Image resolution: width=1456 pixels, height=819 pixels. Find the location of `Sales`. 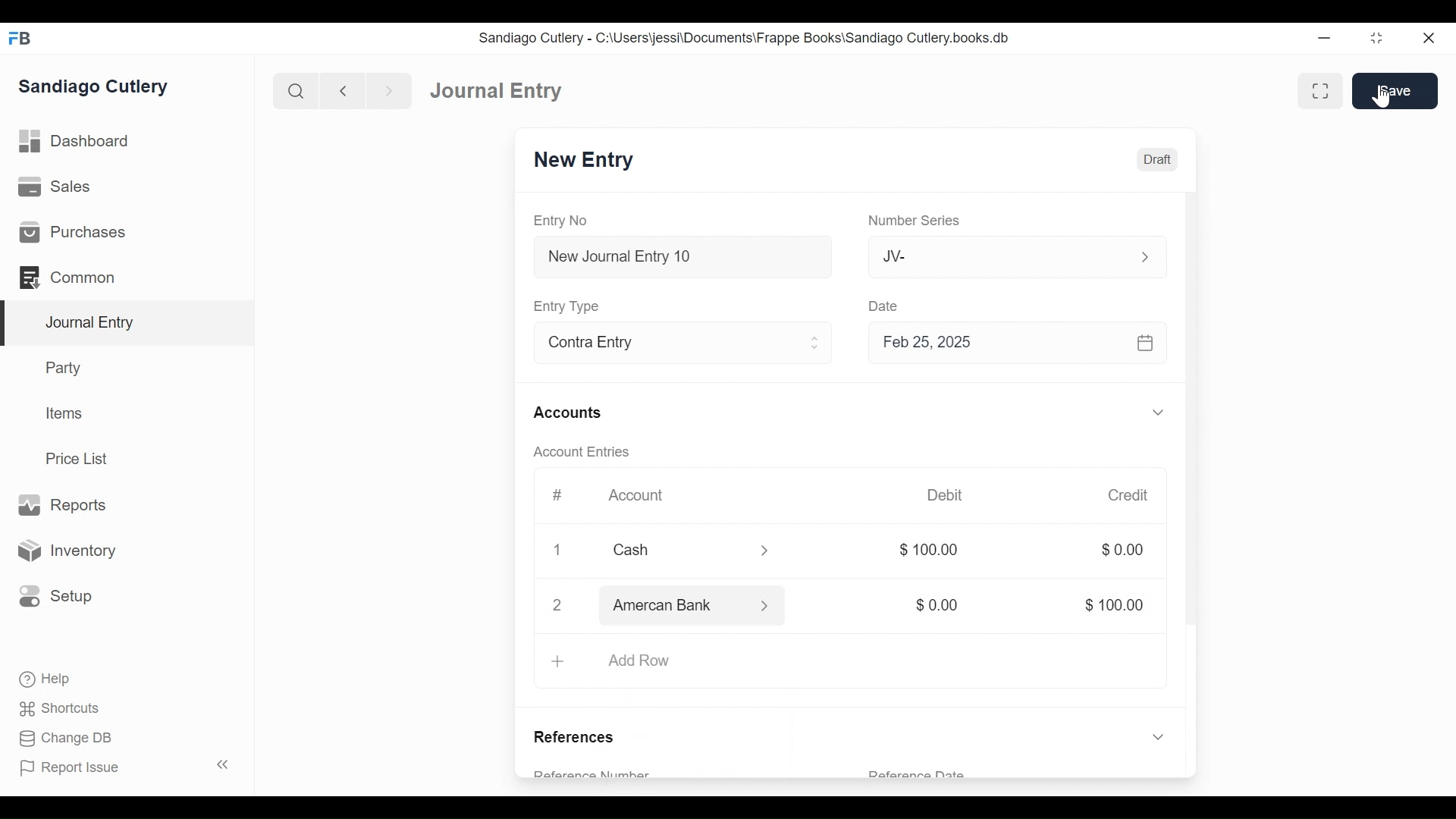

Sales is located at coordinates (53, 188).